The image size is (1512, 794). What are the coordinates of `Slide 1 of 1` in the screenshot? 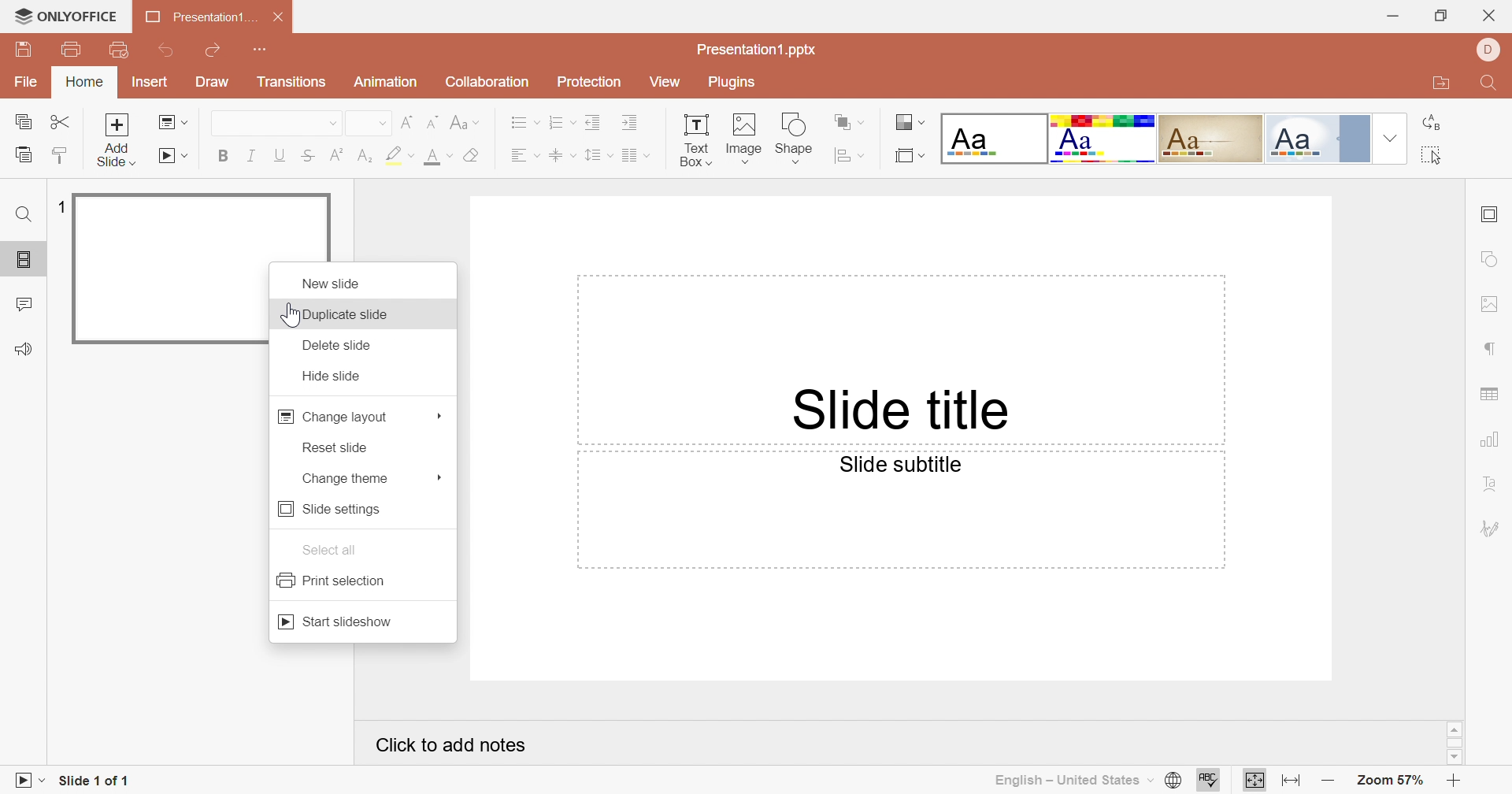 It's located at (97, 781).